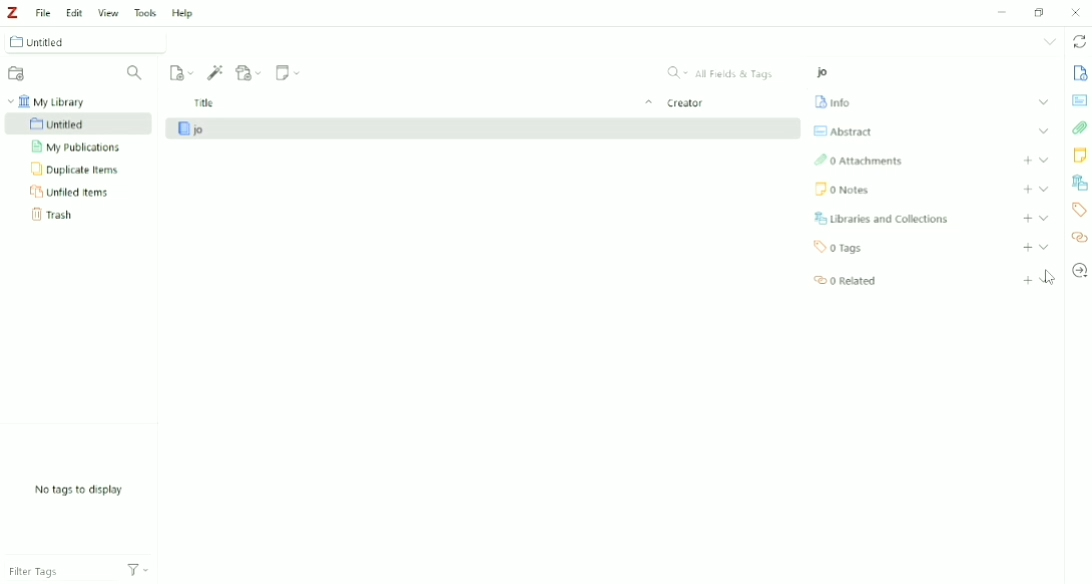 This screenshot has height=584, width=1092. I want to click on Add, so click(1027, 189).